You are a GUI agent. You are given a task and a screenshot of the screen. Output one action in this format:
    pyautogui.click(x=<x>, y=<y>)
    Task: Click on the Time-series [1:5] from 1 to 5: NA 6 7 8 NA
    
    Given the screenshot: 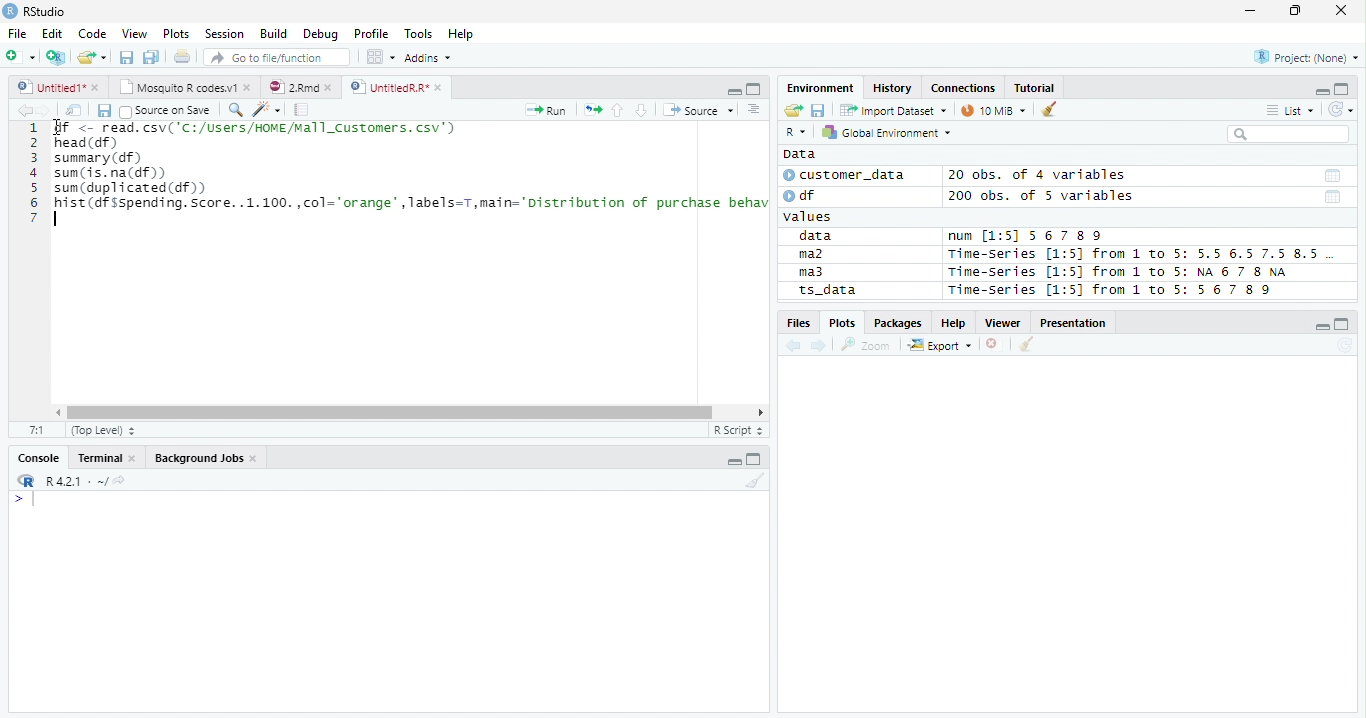 What is the action you would take?
    pyautogui.click(x=1126, y=273)
    